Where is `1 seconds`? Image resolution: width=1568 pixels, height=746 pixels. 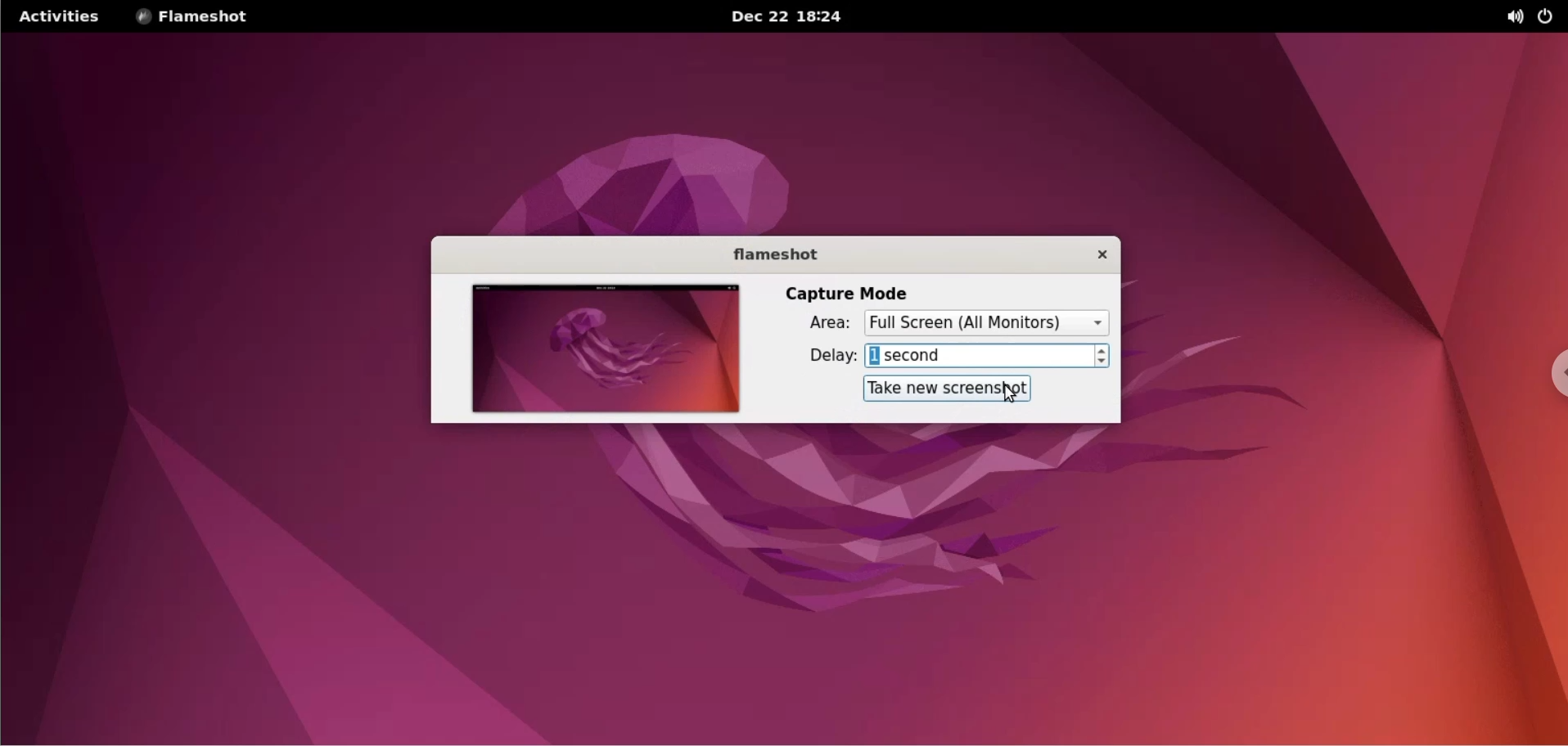
1 seconds is located at coordinates (980, 355).